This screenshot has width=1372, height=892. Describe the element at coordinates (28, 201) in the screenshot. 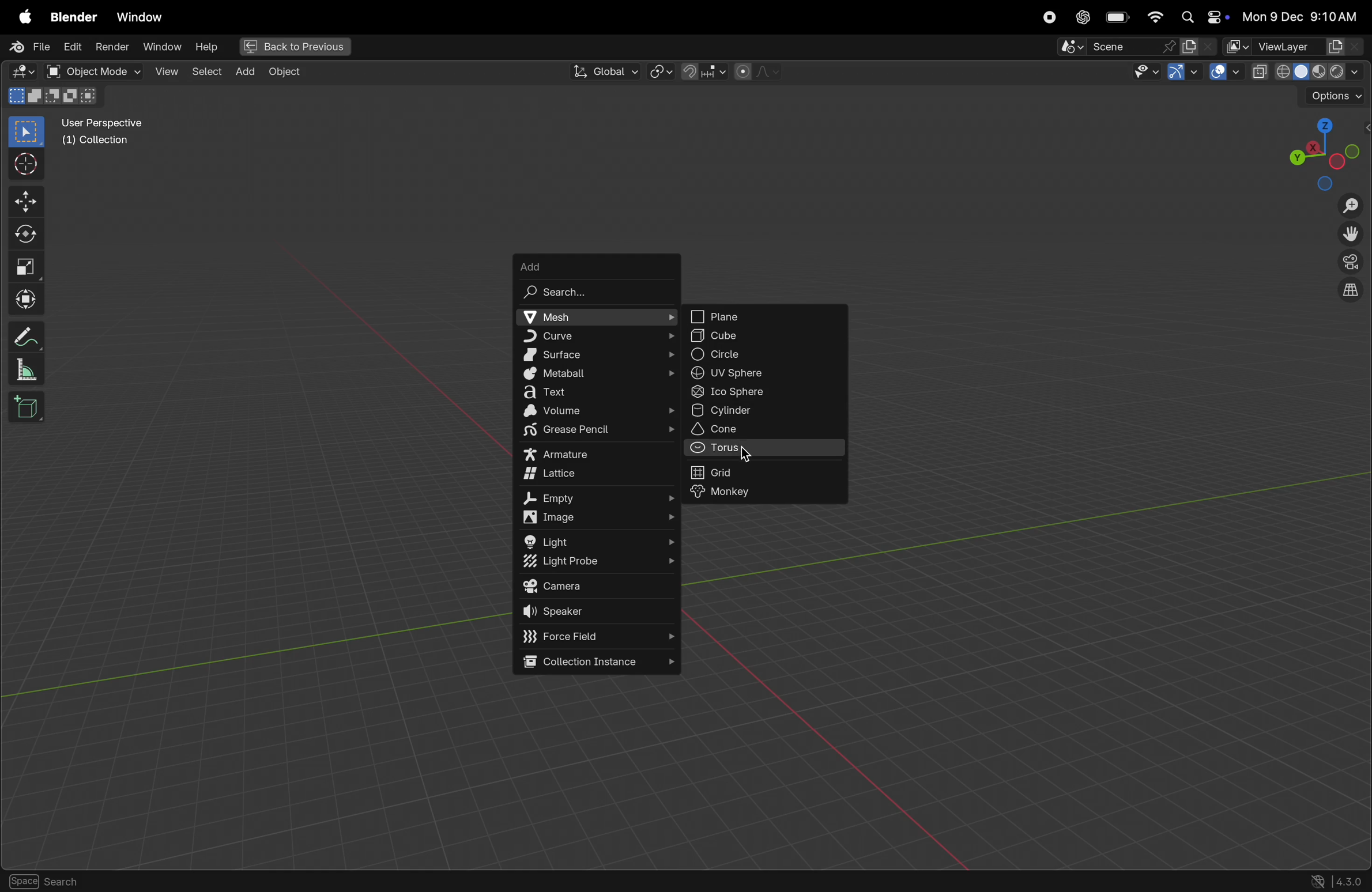

I see `move ` at that location.